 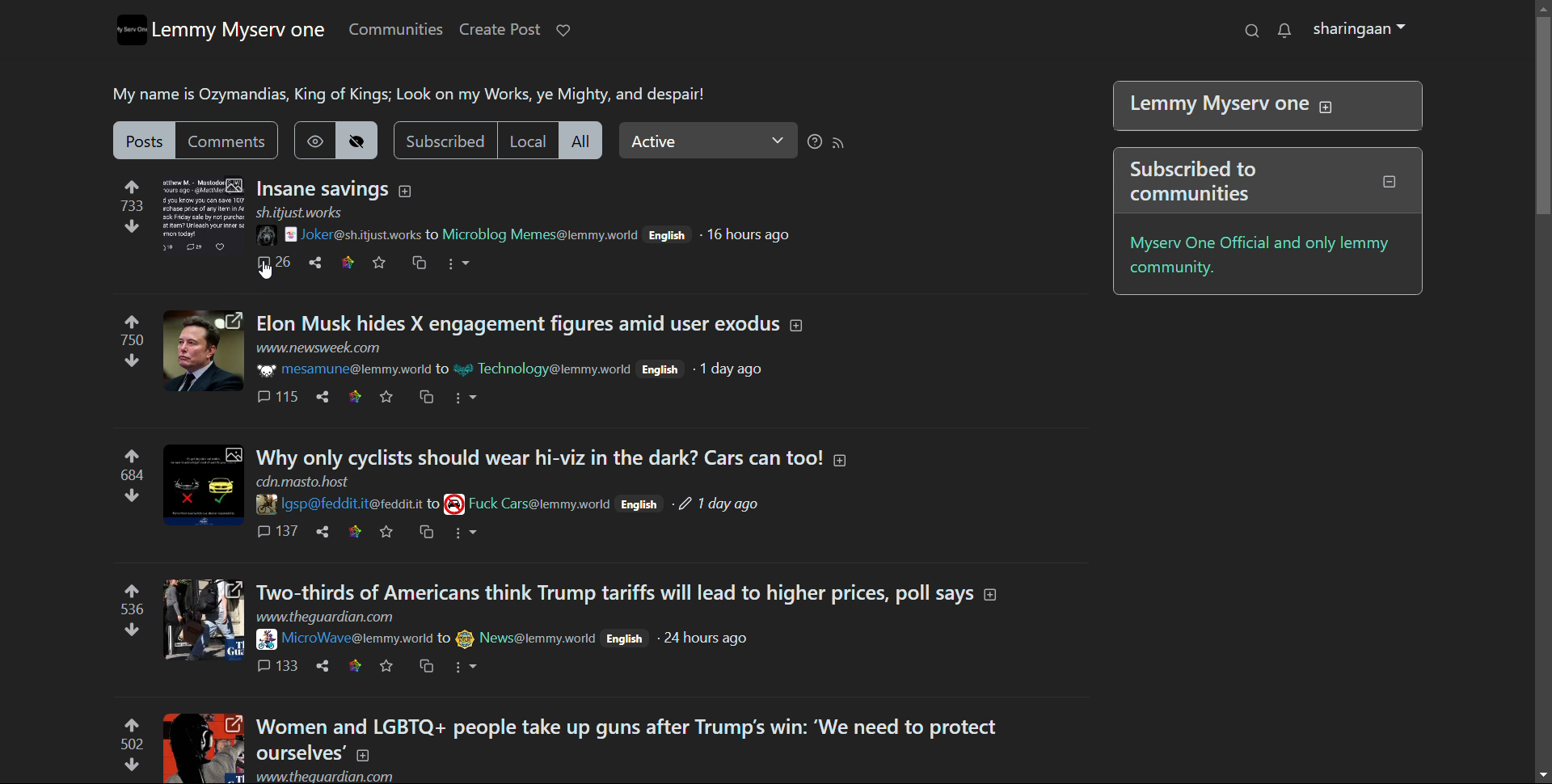 What do you see at coordinates (1284, 30) in the screenshot?
I see `notifications` at bounding box center [1284, 30].